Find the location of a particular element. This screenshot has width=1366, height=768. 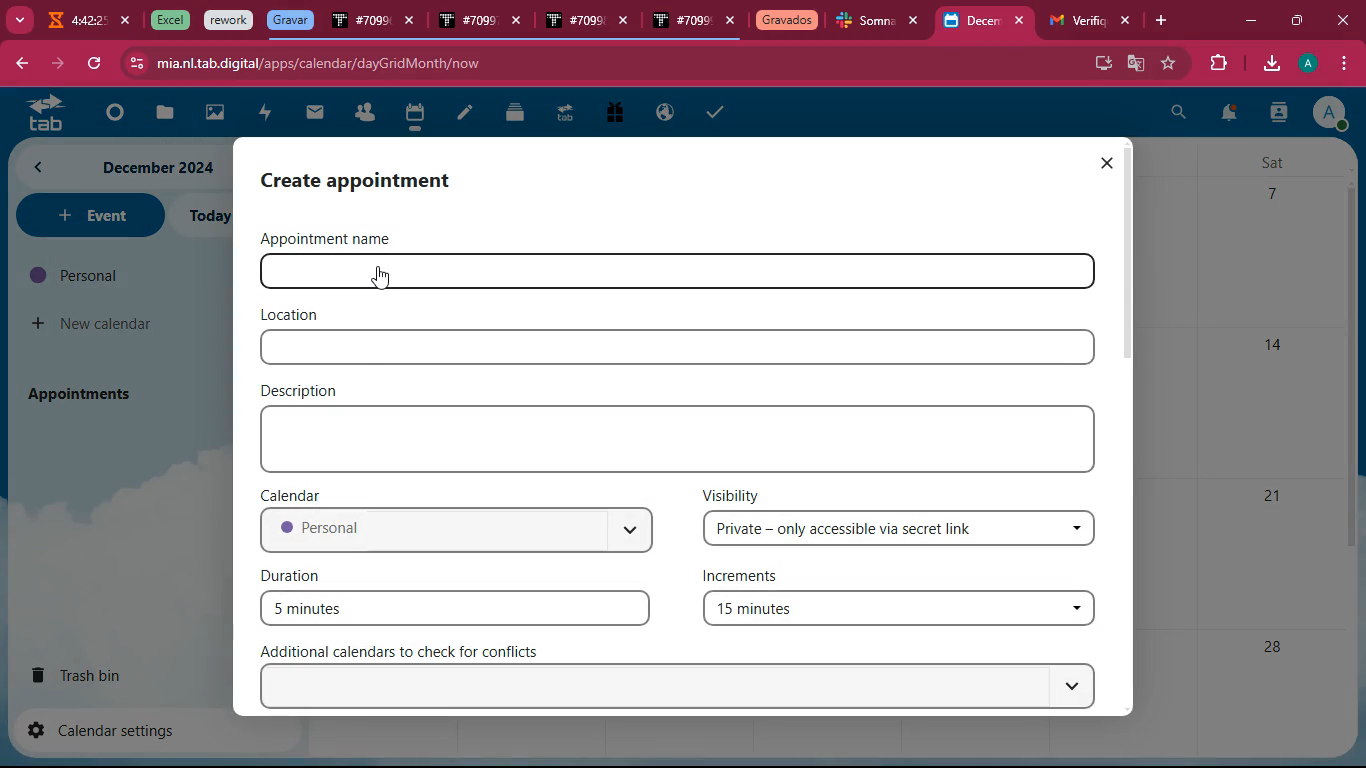

files is located at coordinates (161, 114).